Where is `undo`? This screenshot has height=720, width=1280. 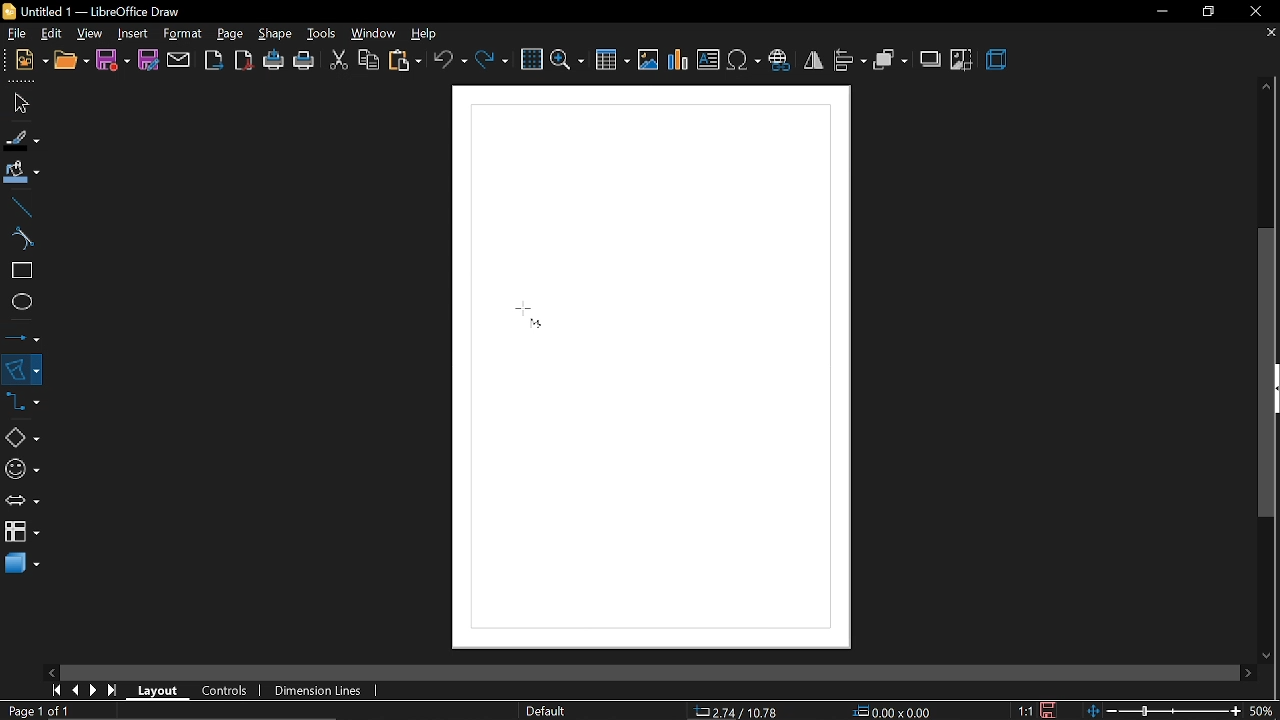 undo is located at coordinates (451, 59).